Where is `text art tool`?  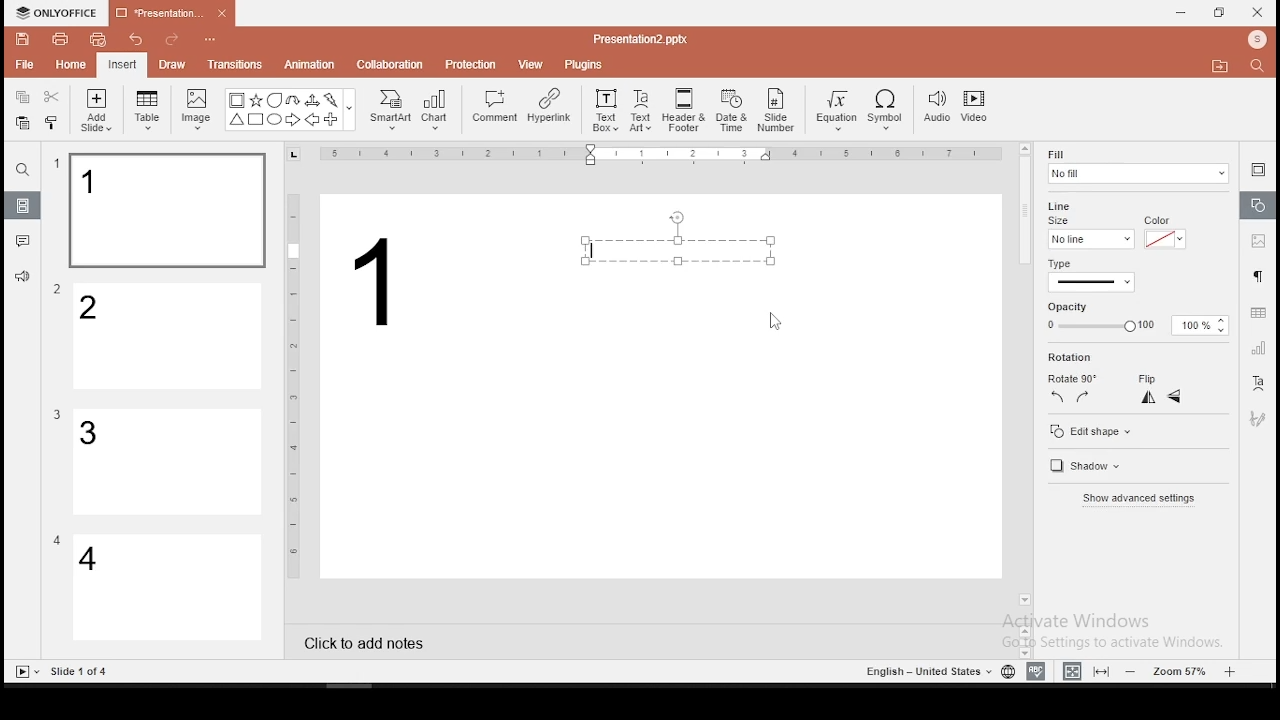
text art tool is located at coordinates (1257, 384).